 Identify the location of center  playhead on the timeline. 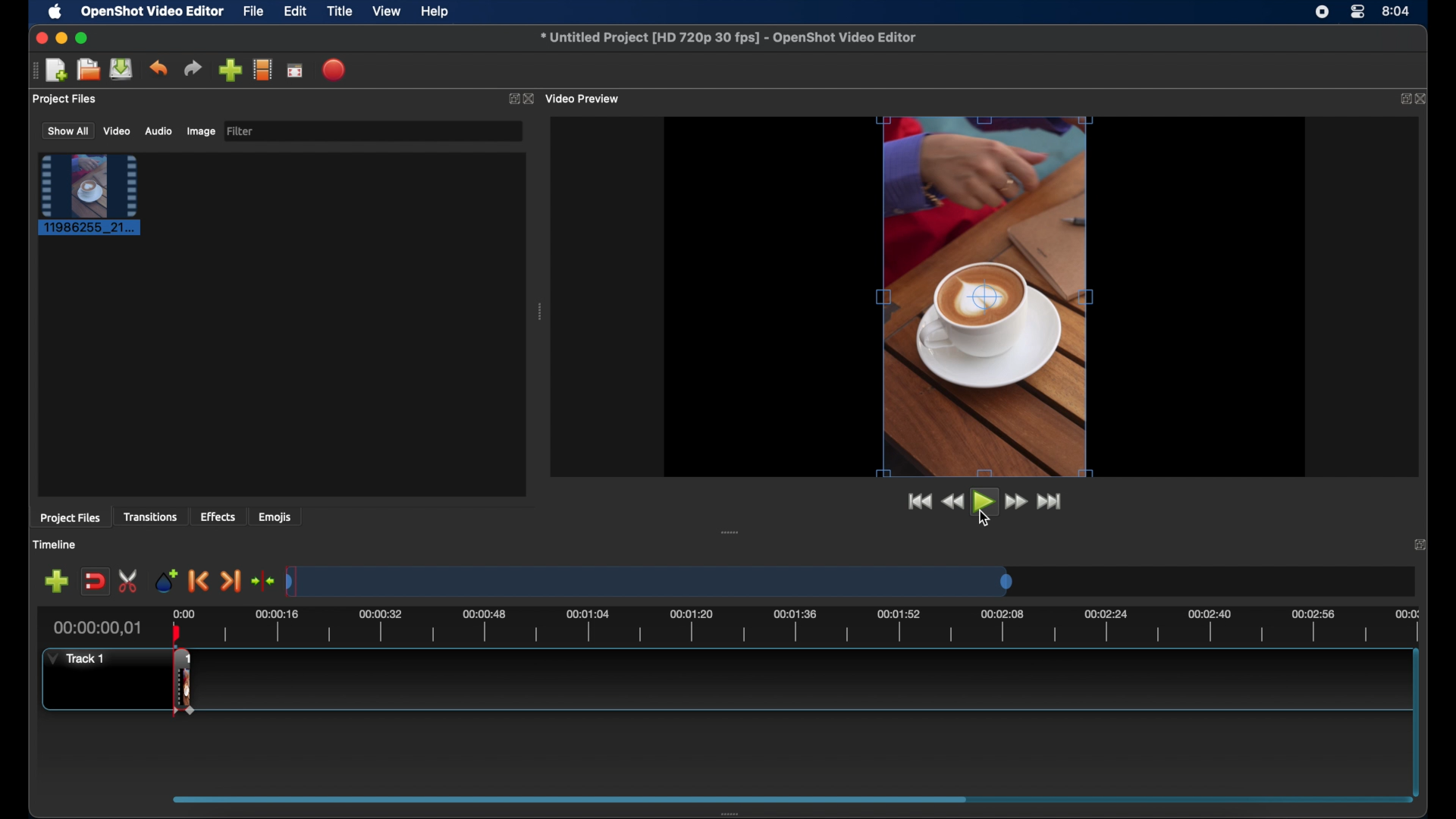
(262, 579).